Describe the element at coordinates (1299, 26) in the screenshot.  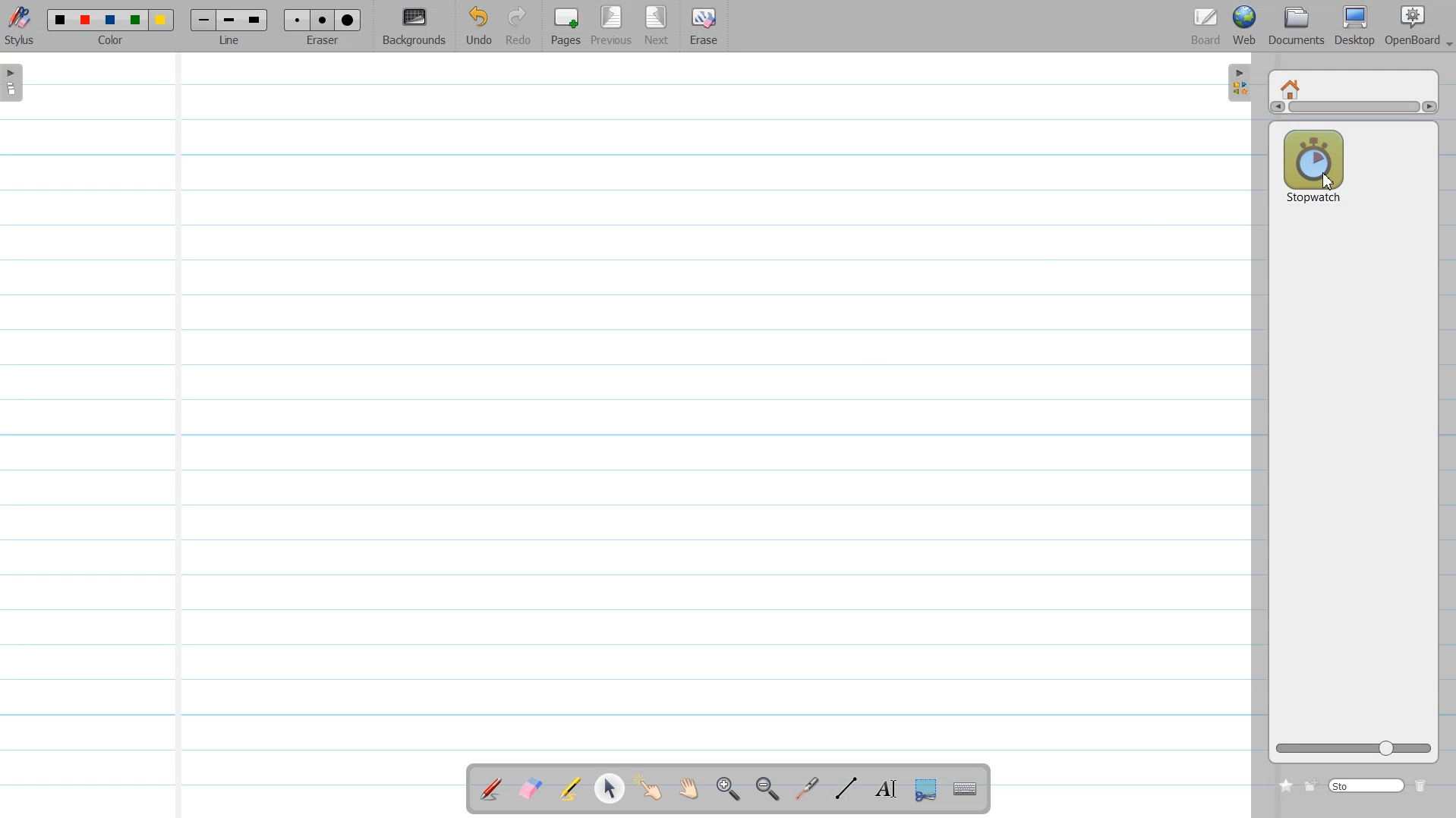
I see `Document` at that location.